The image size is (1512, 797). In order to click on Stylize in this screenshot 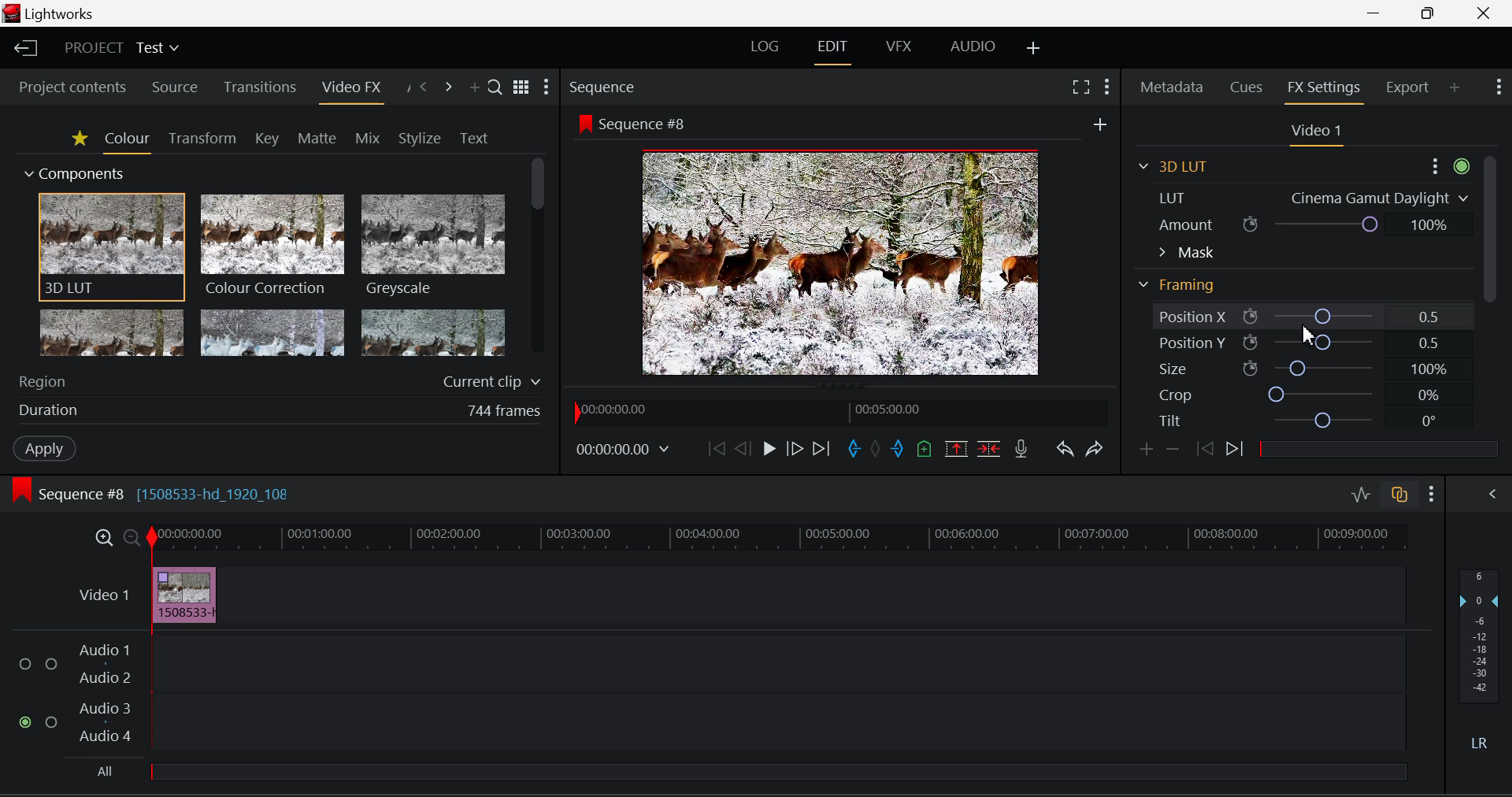, I will do `click(417, 139)`.